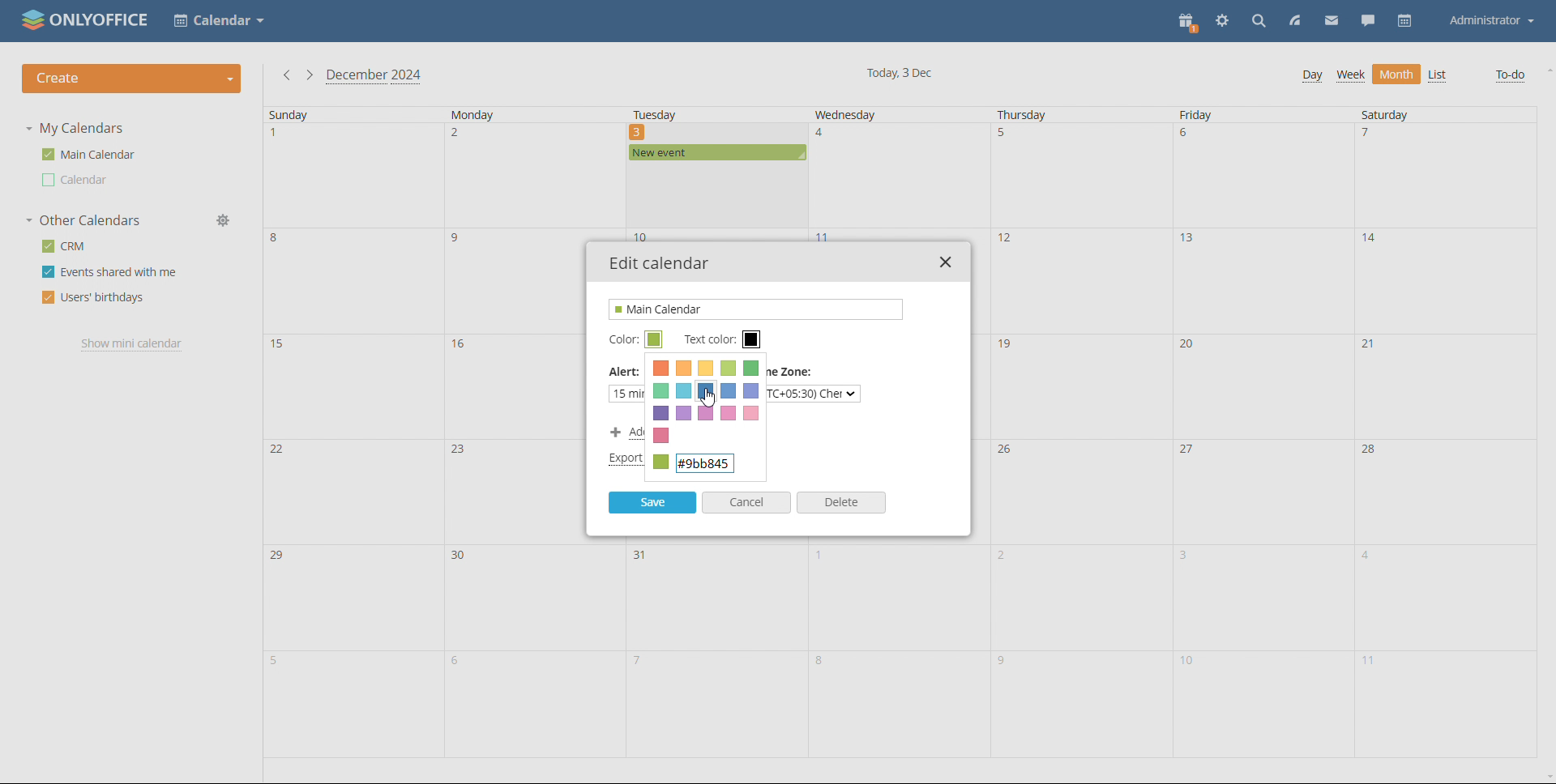 Image resolution: width=1556 pixels, height=784 pixels. I want to click on month view, so click(1396, 75).